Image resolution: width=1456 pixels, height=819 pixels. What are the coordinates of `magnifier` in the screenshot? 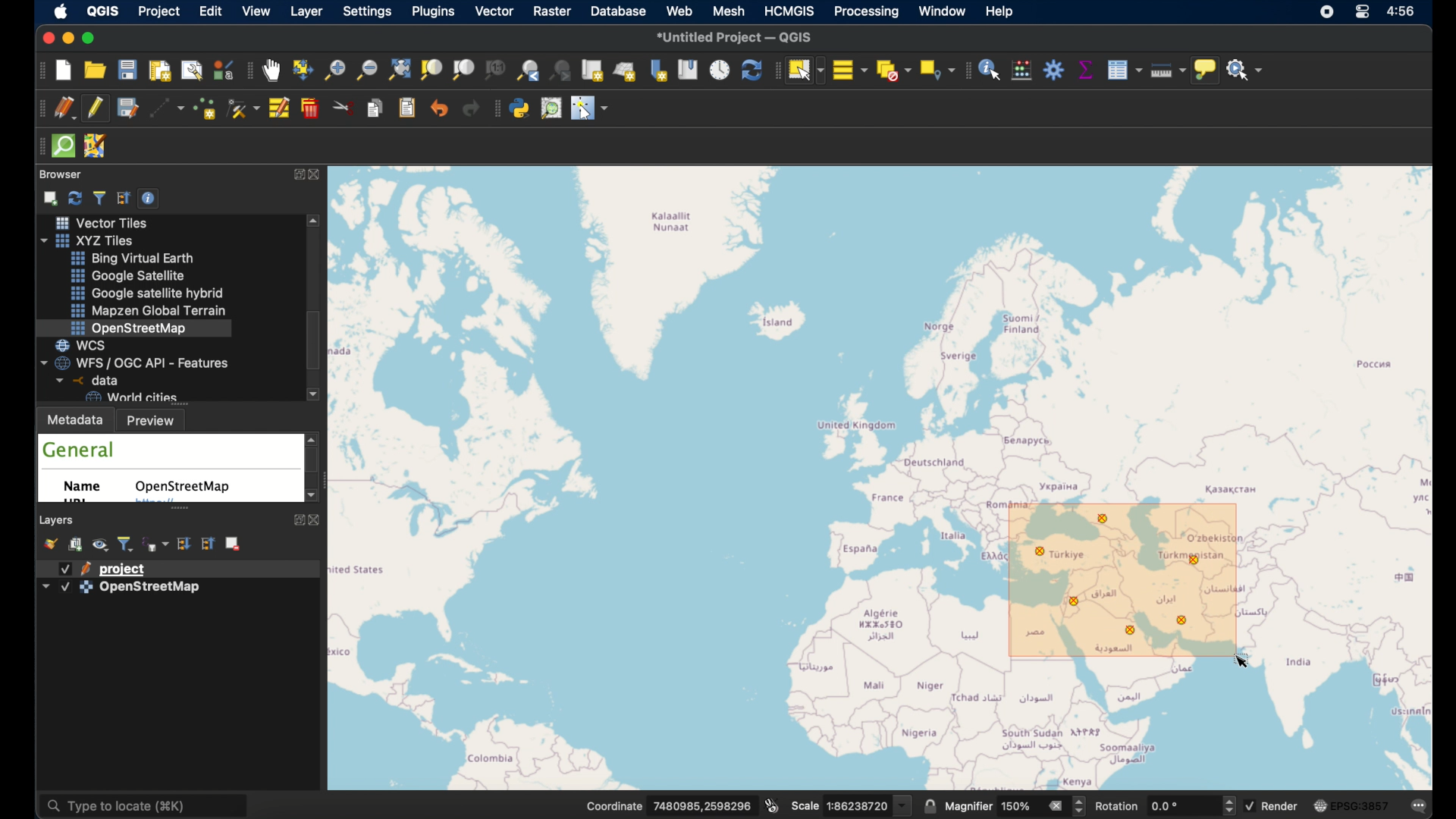 It's located at (968, 806).